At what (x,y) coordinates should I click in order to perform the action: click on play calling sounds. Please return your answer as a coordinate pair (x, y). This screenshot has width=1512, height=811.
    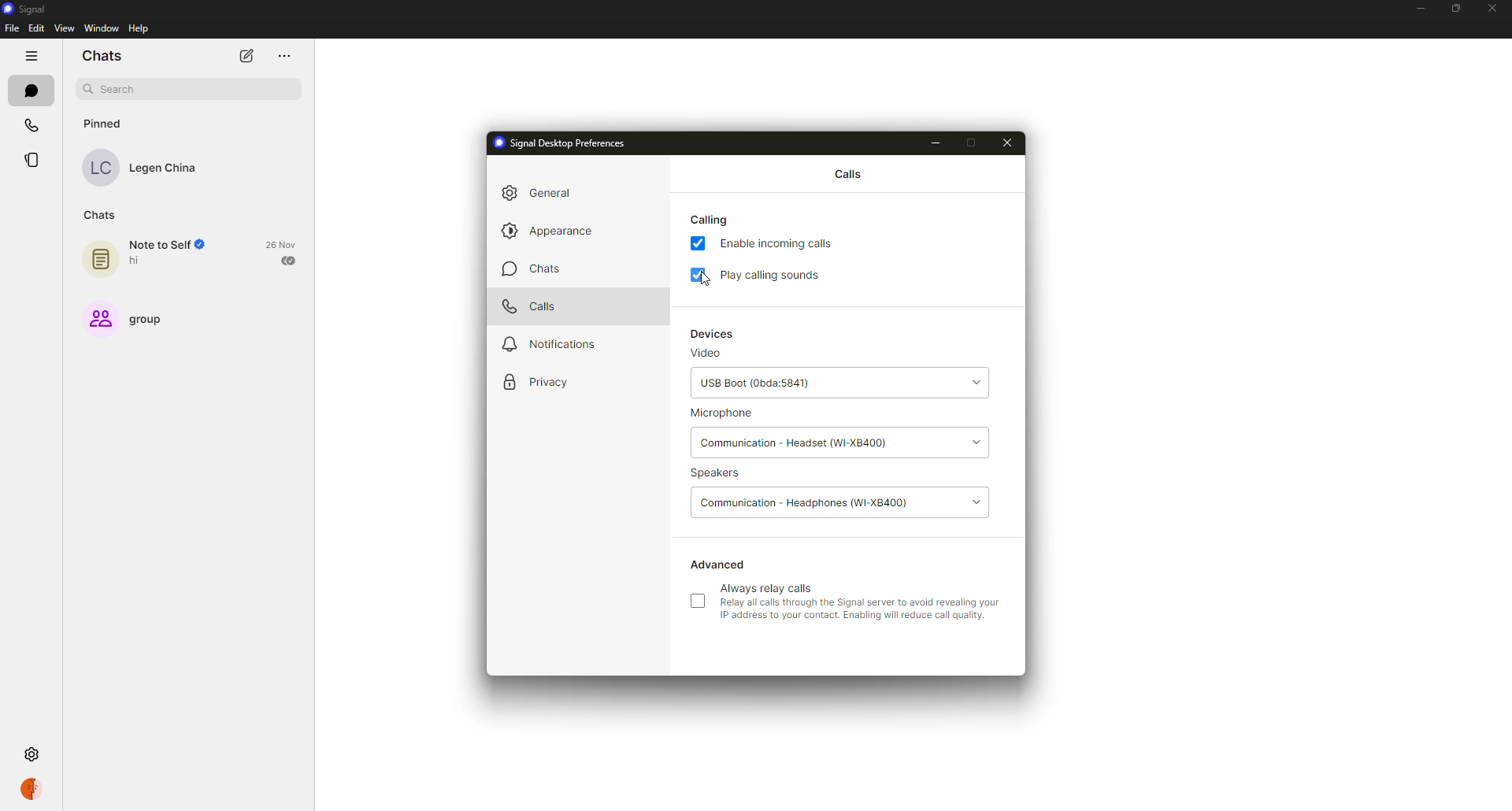
    Looking at the image, I should click on (775, 276).